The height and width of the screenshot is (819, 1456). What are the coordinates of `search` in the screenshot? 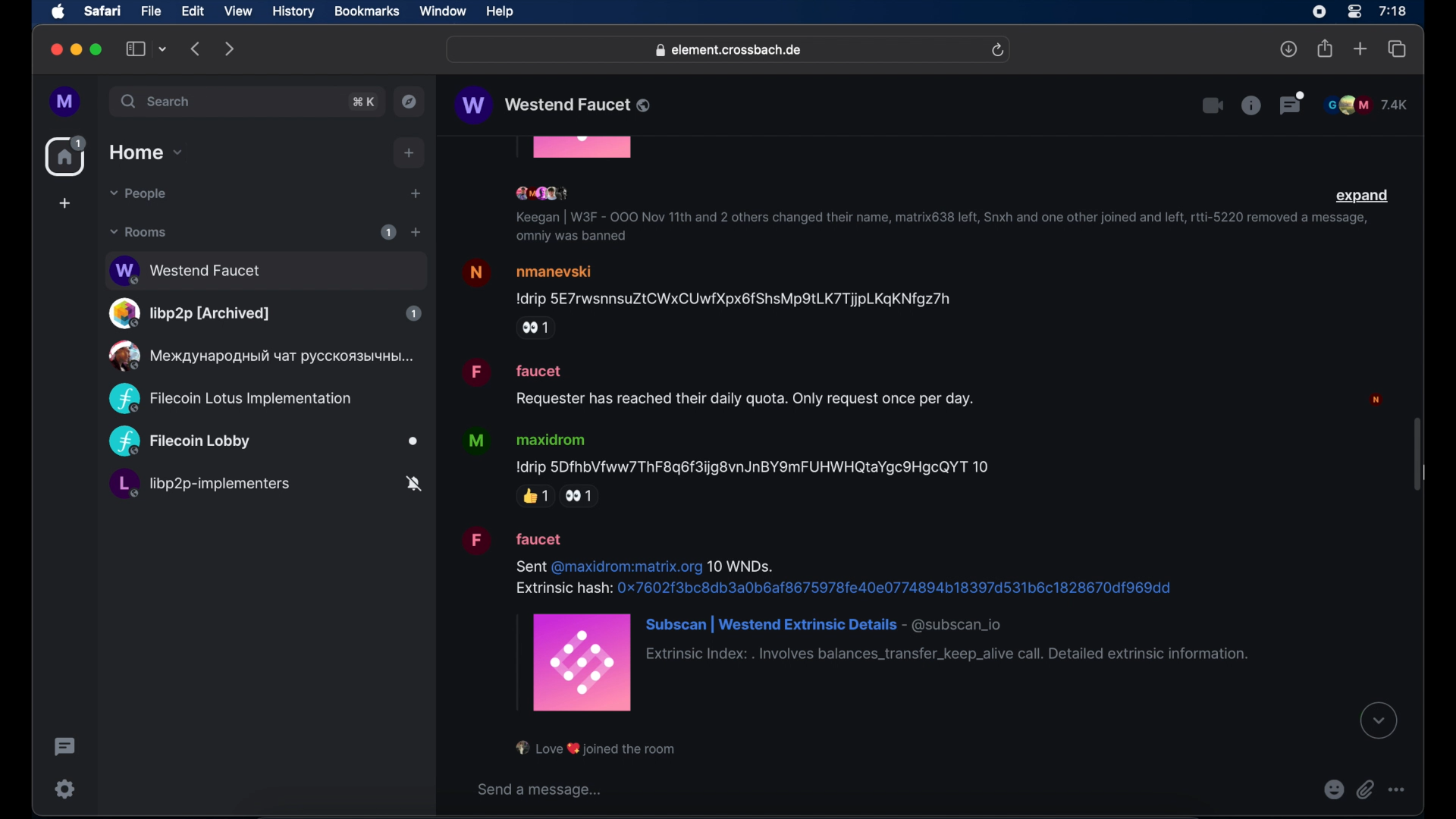 It's located at (157, 101).